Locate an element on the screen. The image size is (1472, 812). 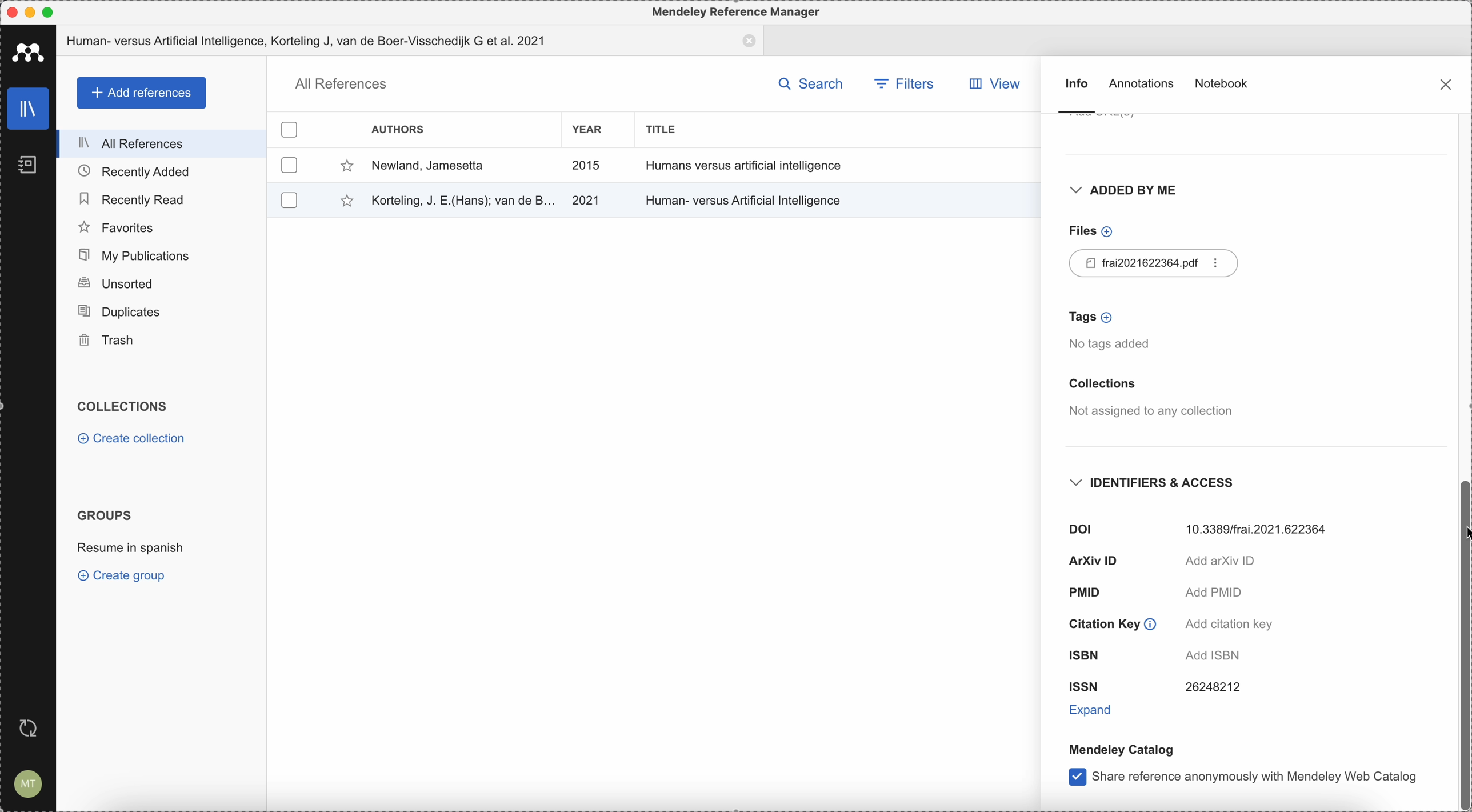
recently read is located at coordinates (161, 198).